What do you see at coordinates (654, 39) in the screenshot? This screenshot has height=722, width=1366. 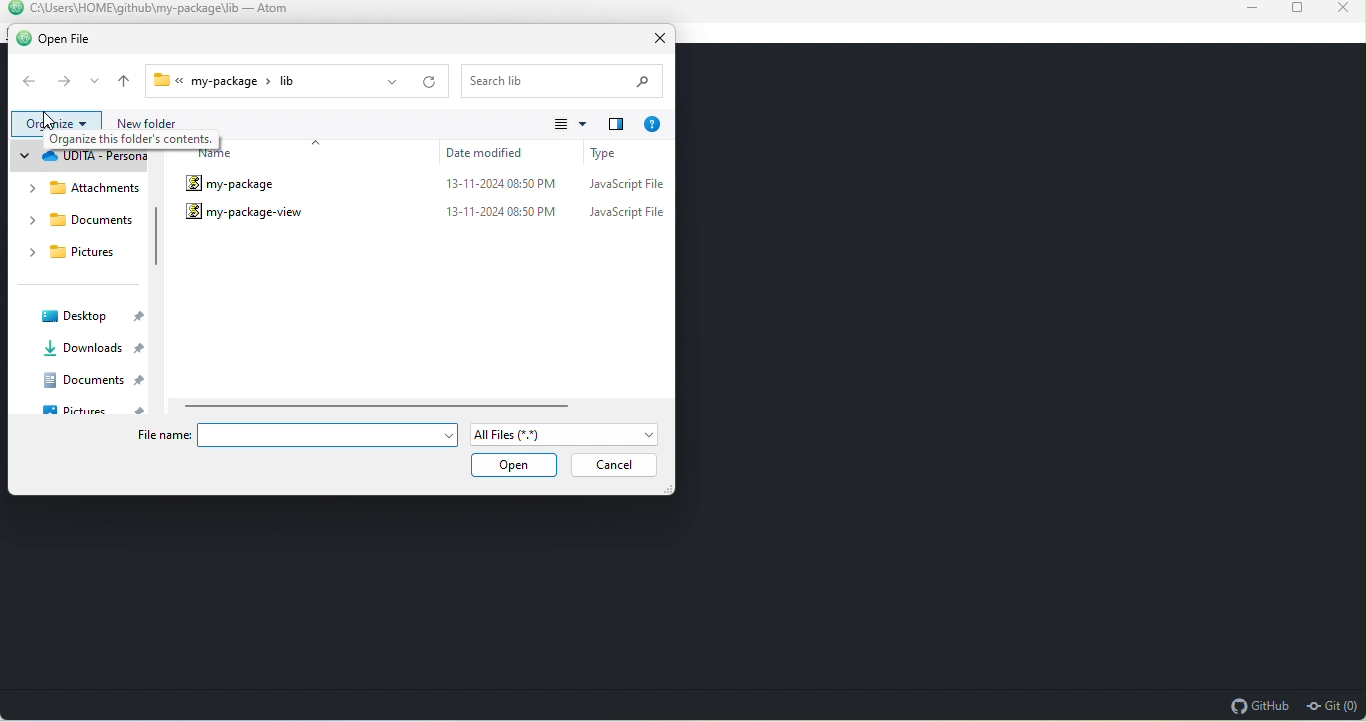 I see `close` at bounding box center [654, 39].